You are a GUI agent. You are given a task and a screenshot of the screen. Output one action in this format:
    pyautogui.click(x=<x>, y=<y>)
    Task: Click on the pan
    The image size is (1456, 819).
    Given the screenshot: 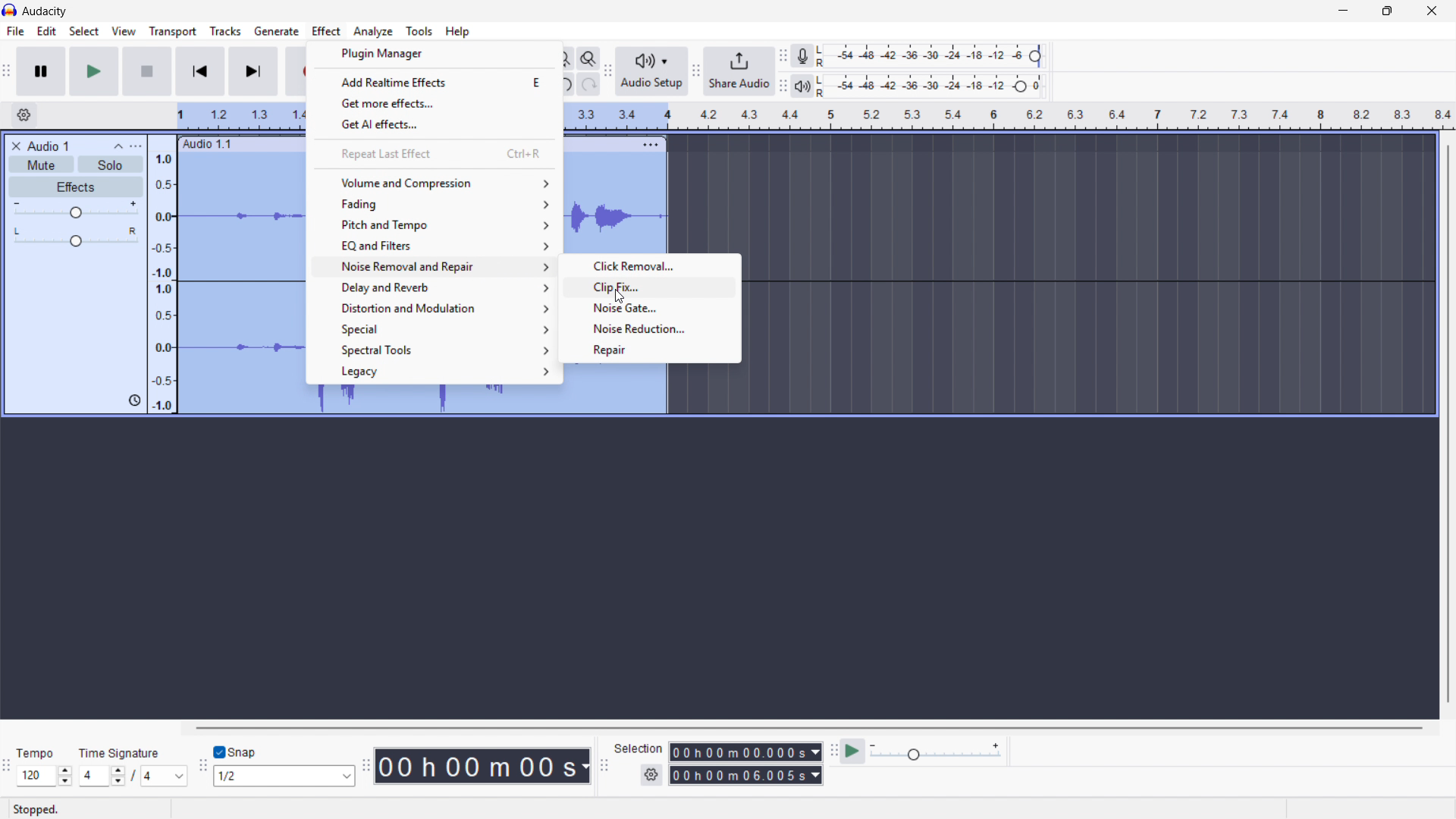 What is the action you would take?
    pyautogui.click(x=75, y=237)
    